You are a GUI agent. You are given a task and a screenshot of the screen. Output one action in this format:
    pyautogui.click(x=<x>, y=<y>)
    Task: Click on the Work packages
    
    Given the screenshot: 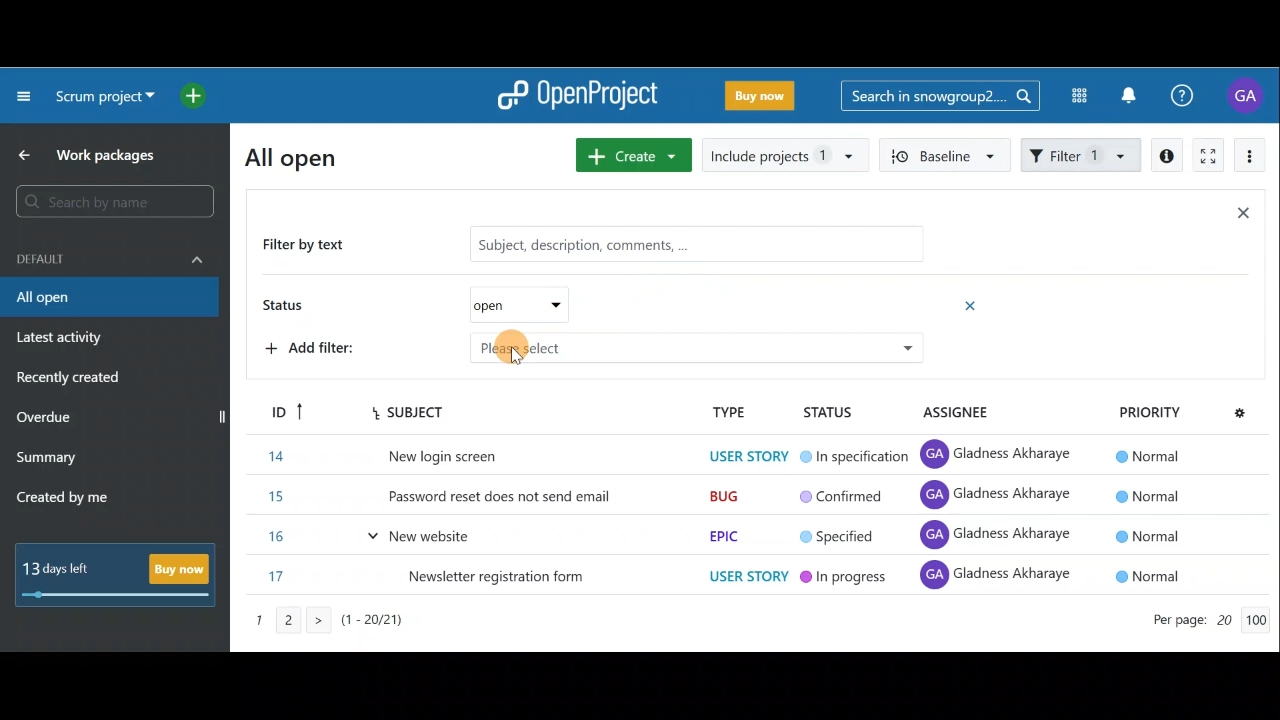 What is the action you would take?
    pyautogui.click(x=91, y=155)
    